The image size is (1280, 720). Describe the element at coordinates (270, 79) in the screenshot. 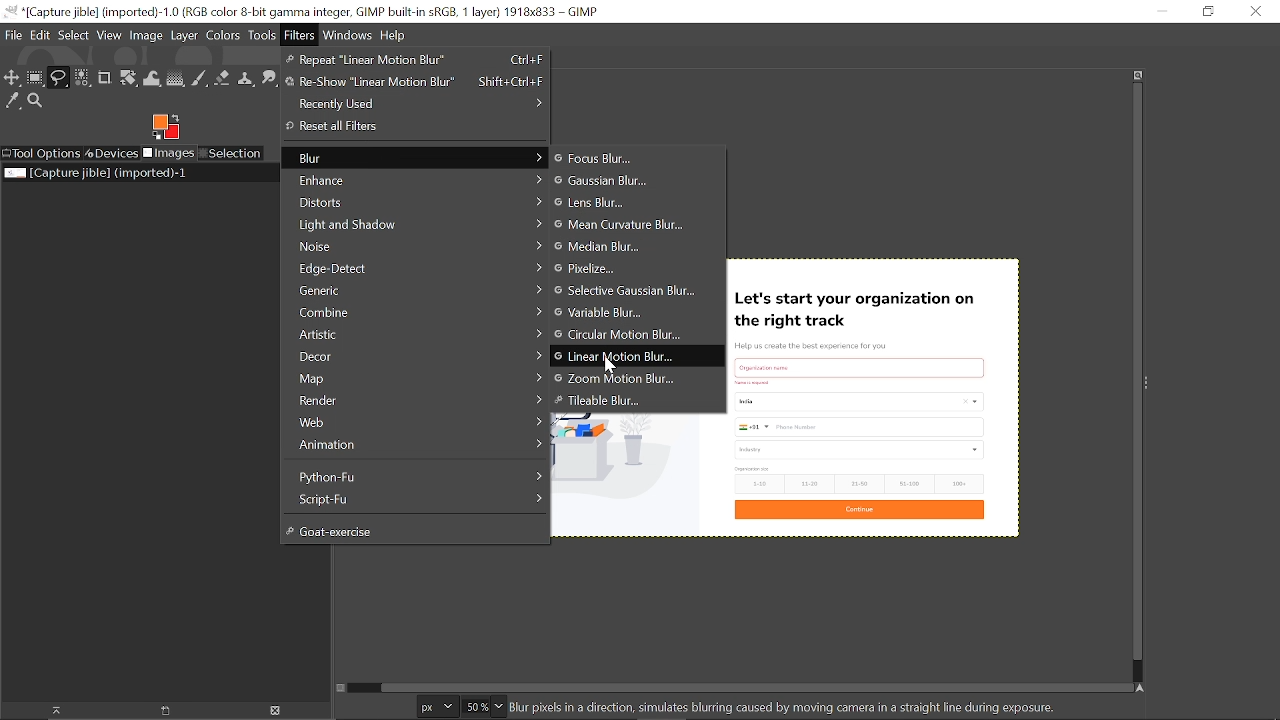

I see `Smudge tool` at that location.